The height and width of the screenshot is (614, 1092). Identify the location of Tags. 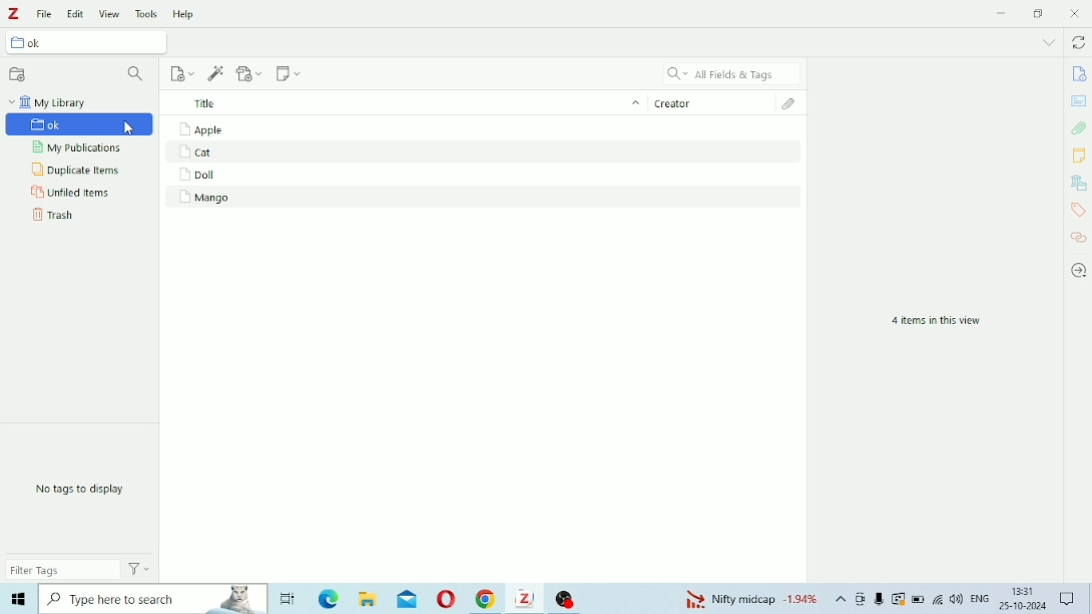
(1078, 210).